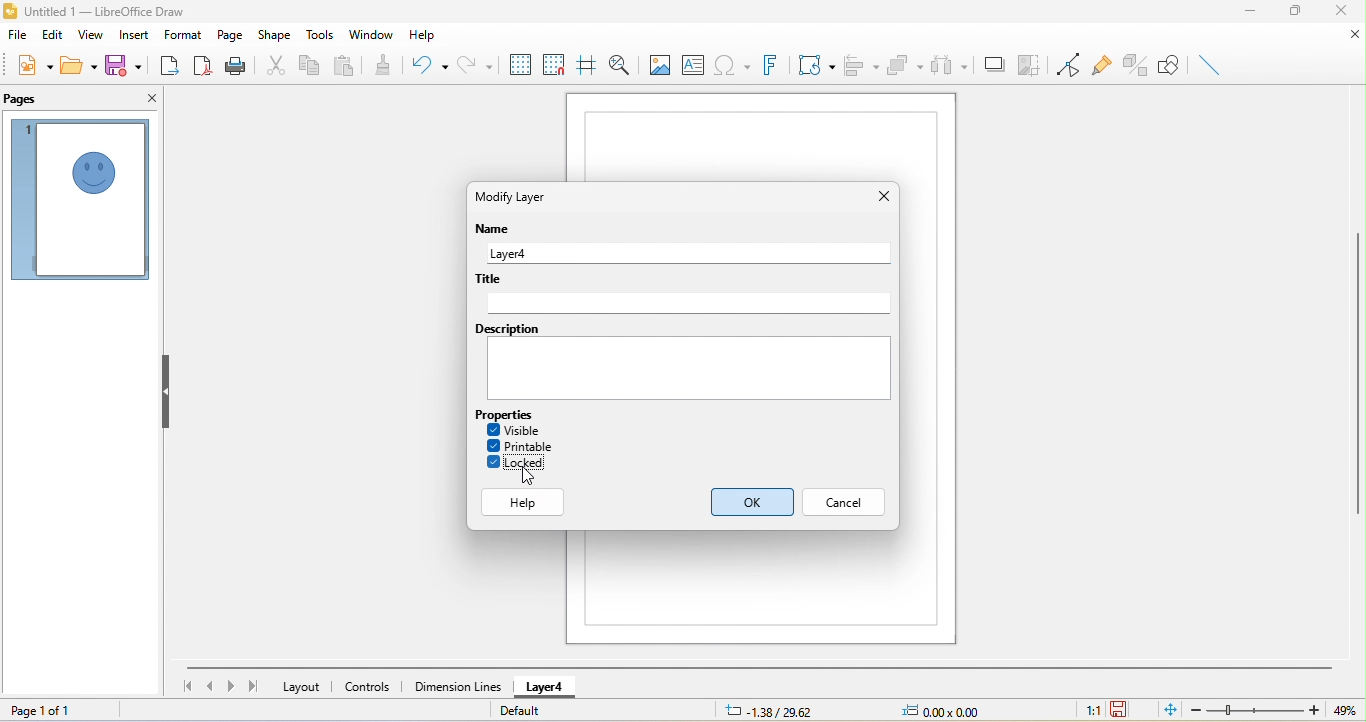  What do you see at coordinates (1030, 63) in the screenshot?
I see `crop image` at bounding box center [1030, 63].